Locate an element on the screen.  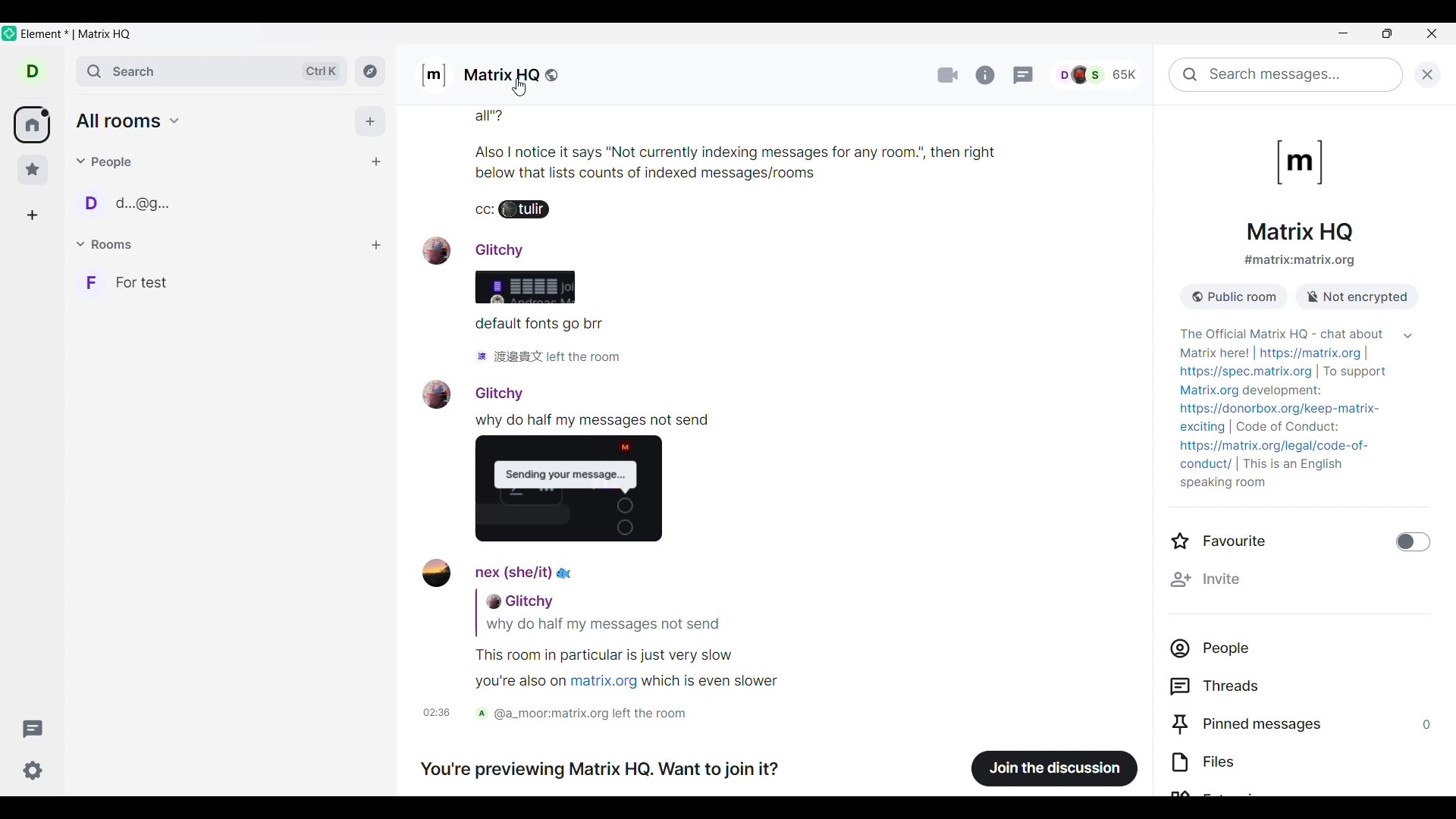
cc is located at coordinates (481, 212).